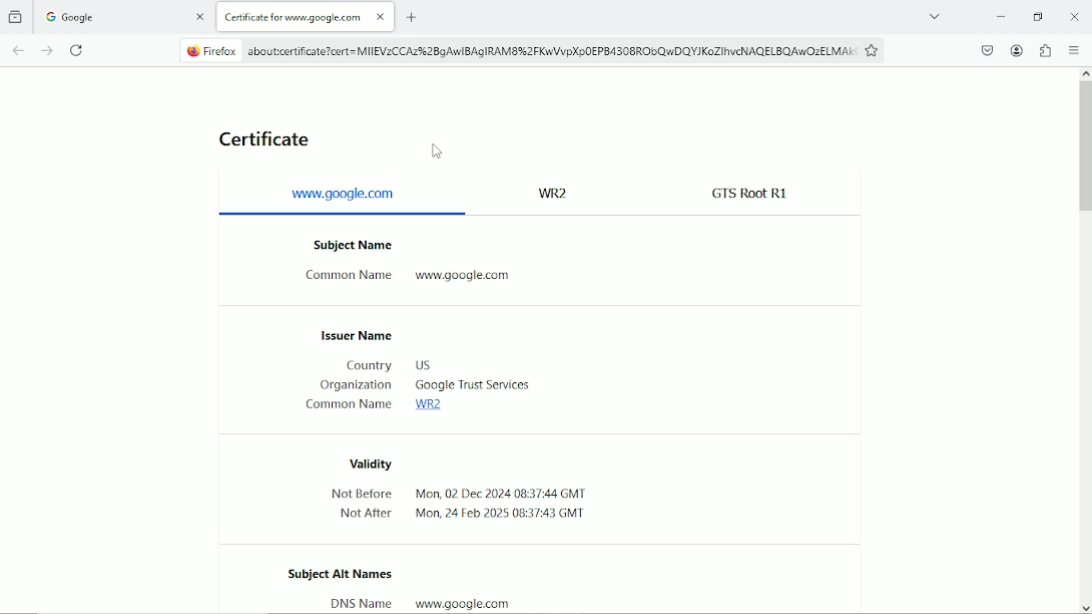 The height and width of the screenshot is (614, 1092). I want to click on Validity, so click(363, 462).